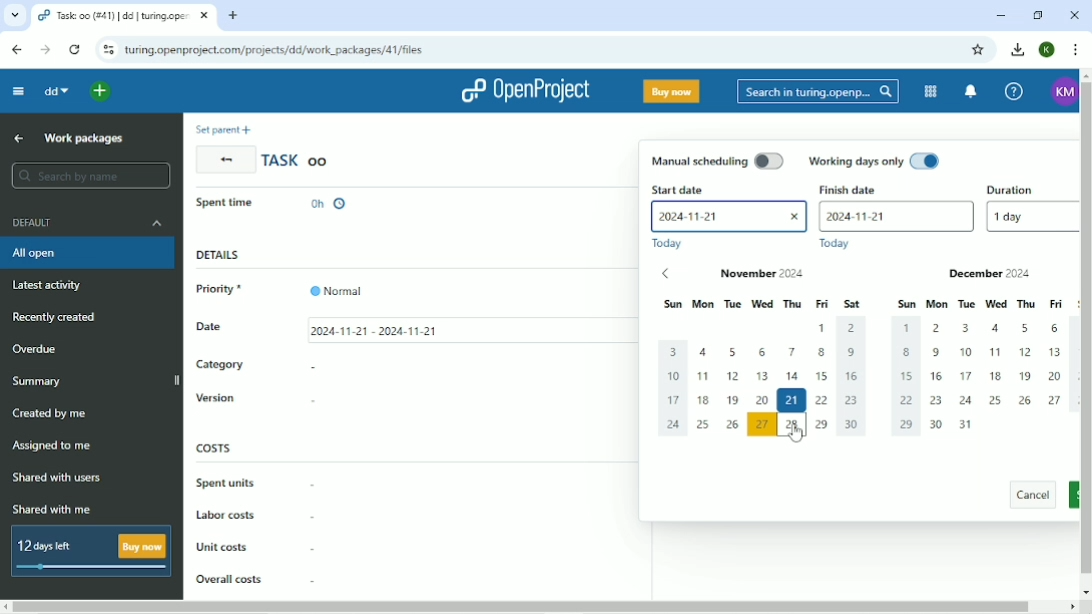 The height and width of the screenshot is (614, 1092). What do you see at coordinates (234, 15) in the screenshot?
I see `New tab` at bounding box center [234, 15].